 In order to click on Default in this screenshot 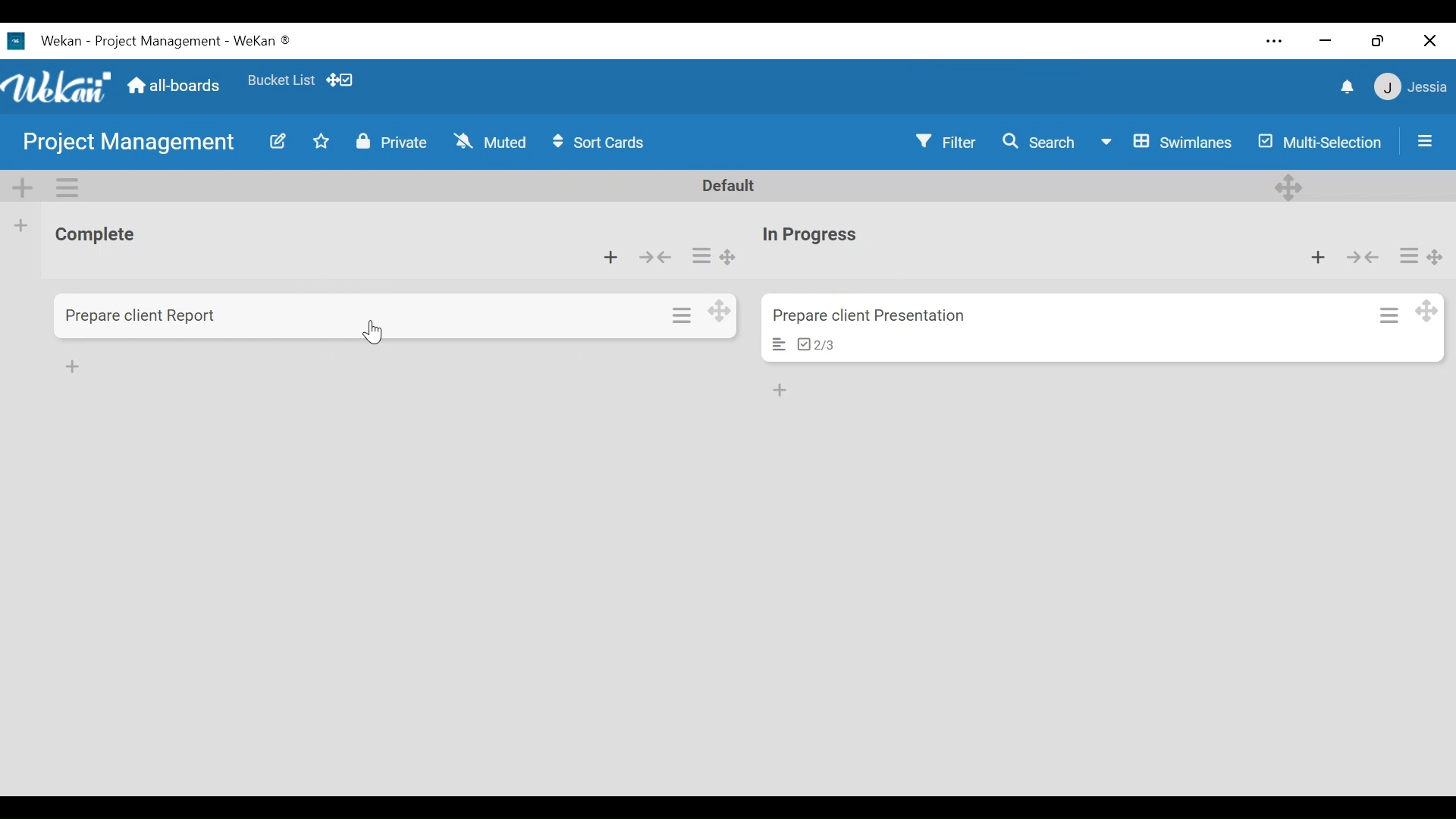, I will do `click(730, 186)`.